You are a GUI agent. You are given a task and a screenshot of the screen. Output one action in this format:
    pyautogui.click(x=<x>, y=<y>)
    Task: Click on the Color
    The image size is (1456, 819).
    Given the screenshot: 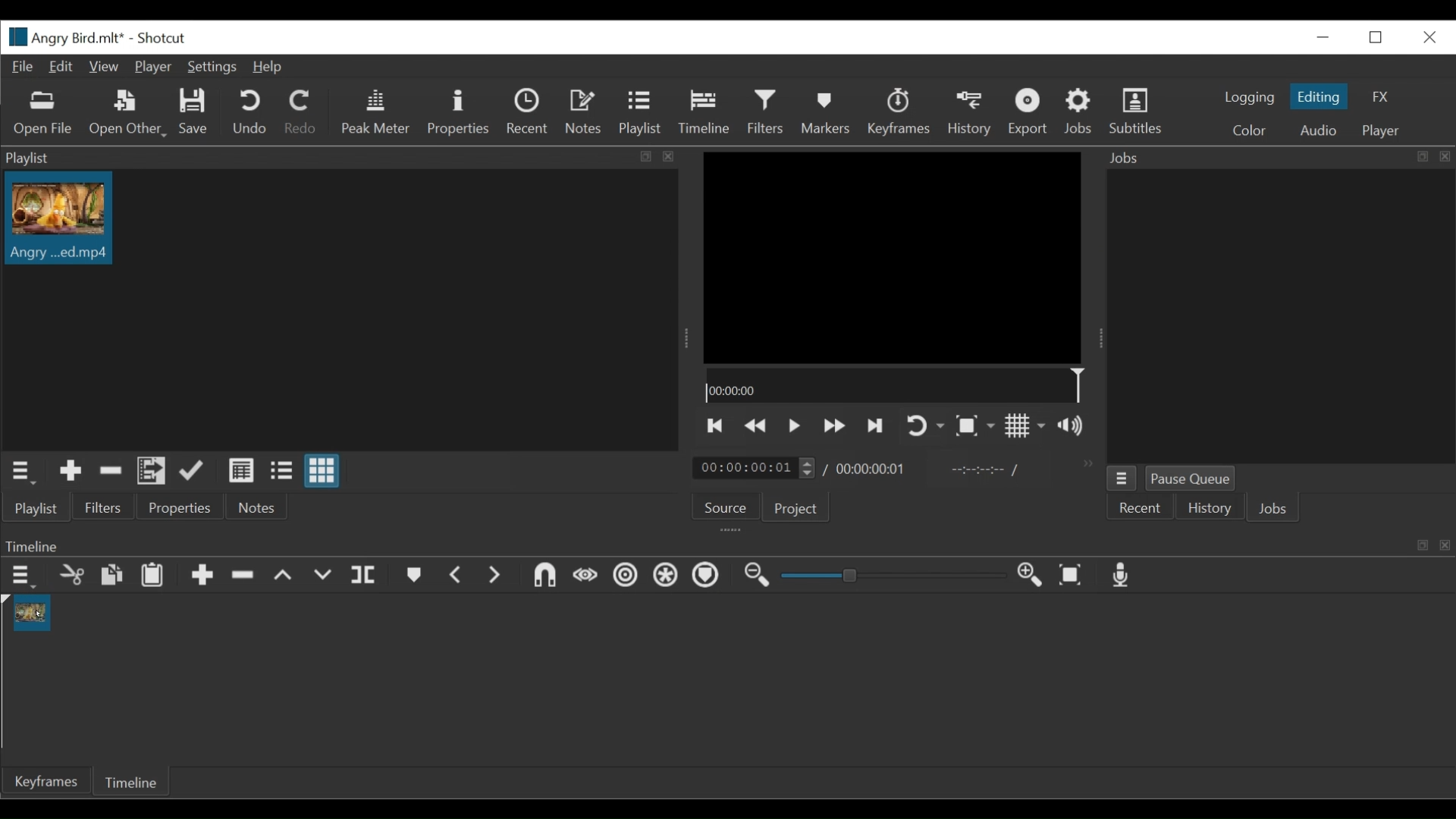 What is the action you would take?
    pyautogui.click(x=1252, y=132)
    